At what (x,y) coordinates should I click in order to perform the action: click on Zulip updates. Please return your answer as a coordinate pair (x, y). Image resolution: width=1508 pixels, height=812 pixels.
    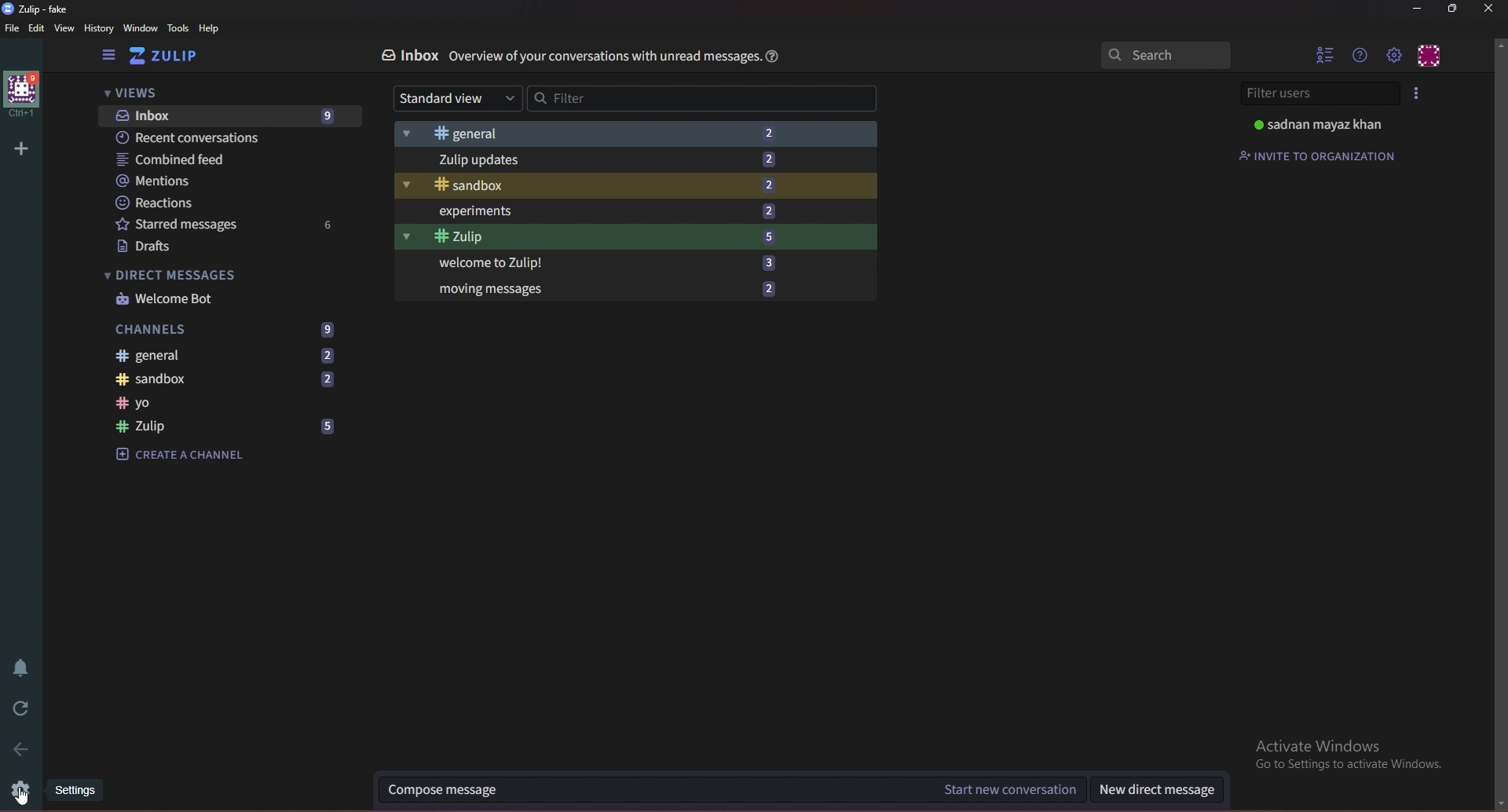
    Looking at the image, I should click on (637, 159).